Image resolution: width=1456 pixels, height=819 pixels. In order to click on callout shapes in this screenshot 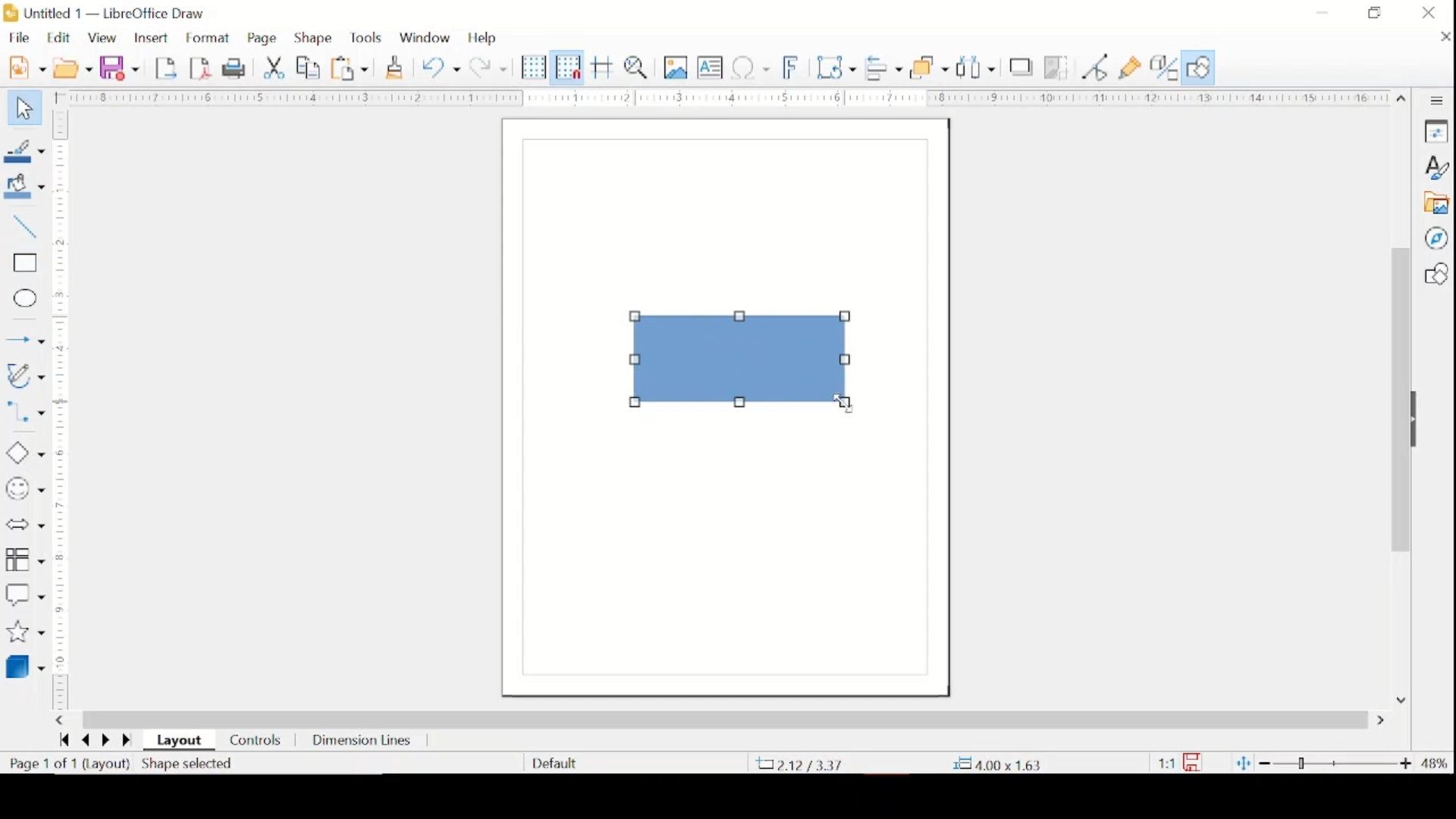, I will do `click(25, 595)`.